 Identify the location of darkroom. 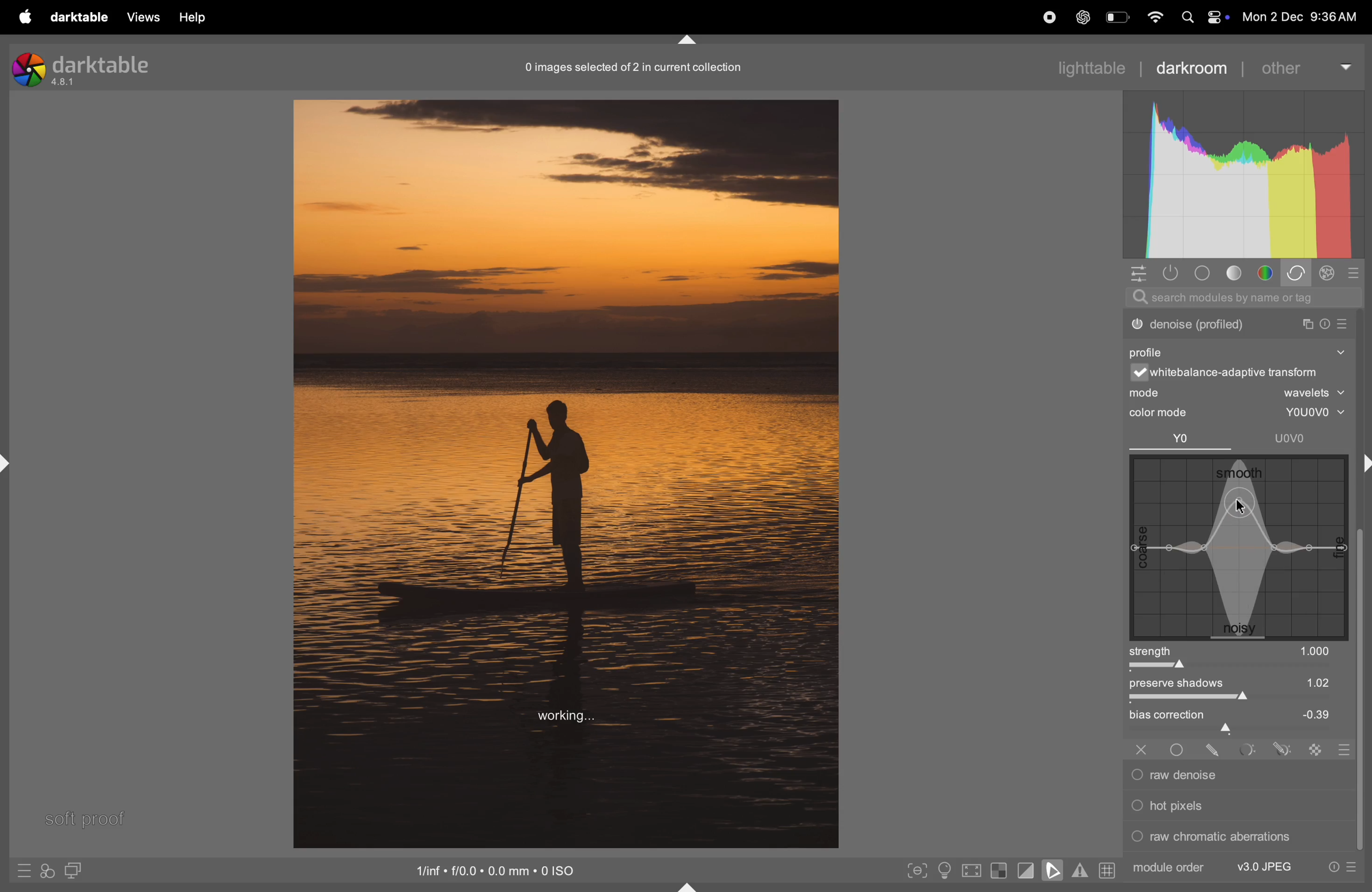
(1199, 66).